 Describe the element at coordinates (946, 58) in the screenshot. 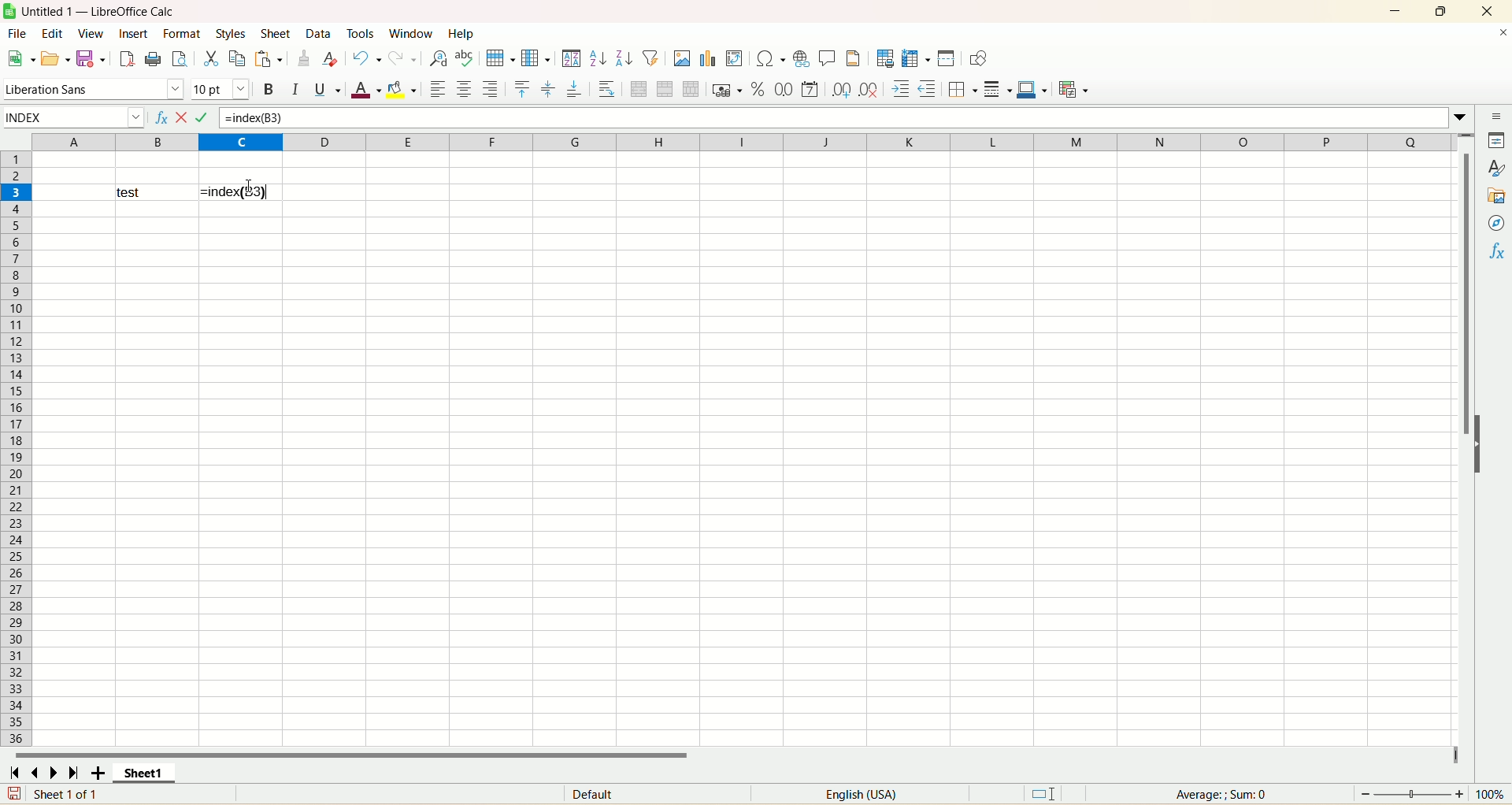

I see `split window` at that location.